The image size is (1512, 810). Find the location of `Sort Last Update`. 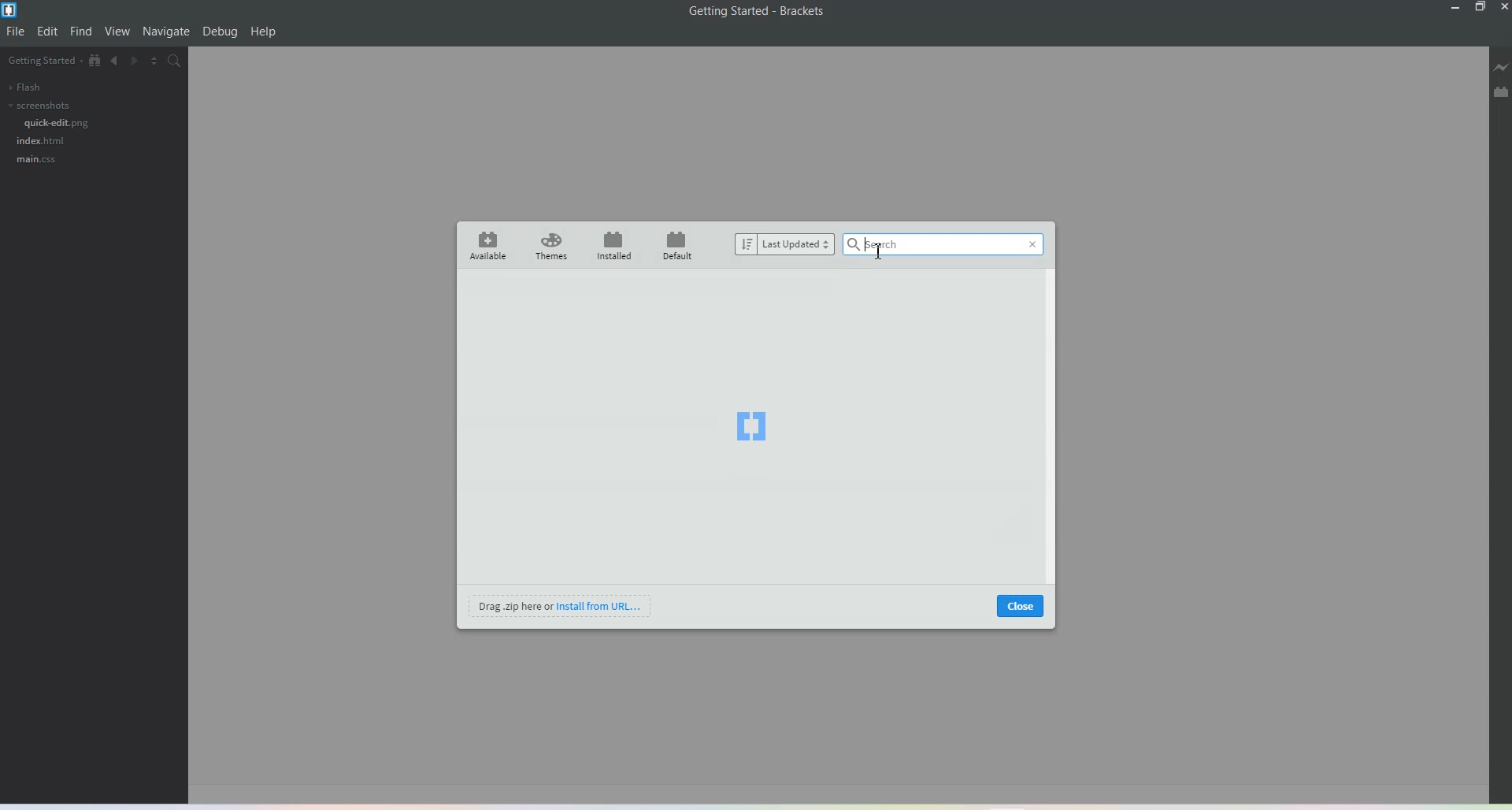

Sort Last Update is located at coordinates (782, 244).